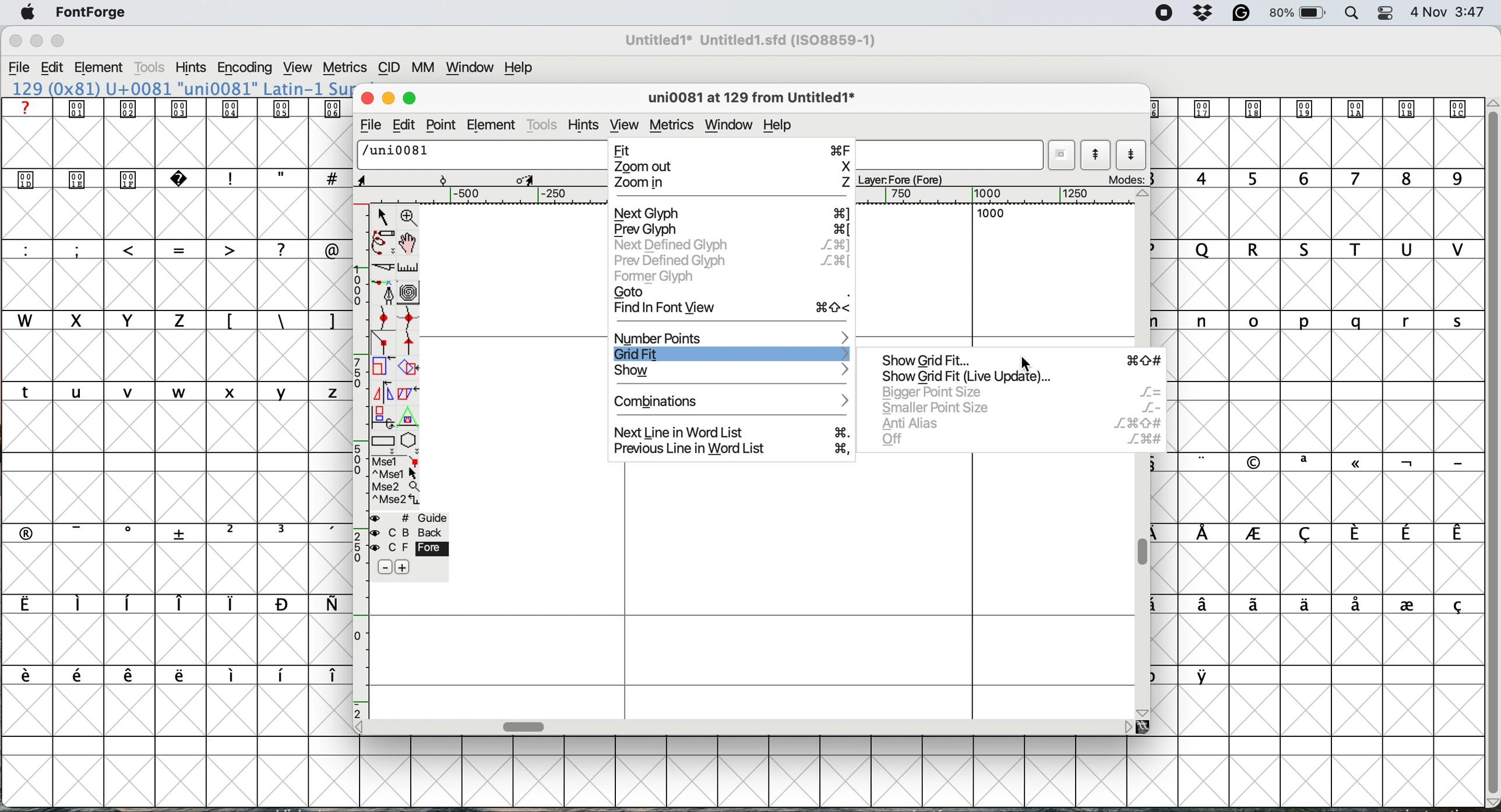  Describe the element at coordinates (778, 125) in the screenshot. I see `help` at that location.